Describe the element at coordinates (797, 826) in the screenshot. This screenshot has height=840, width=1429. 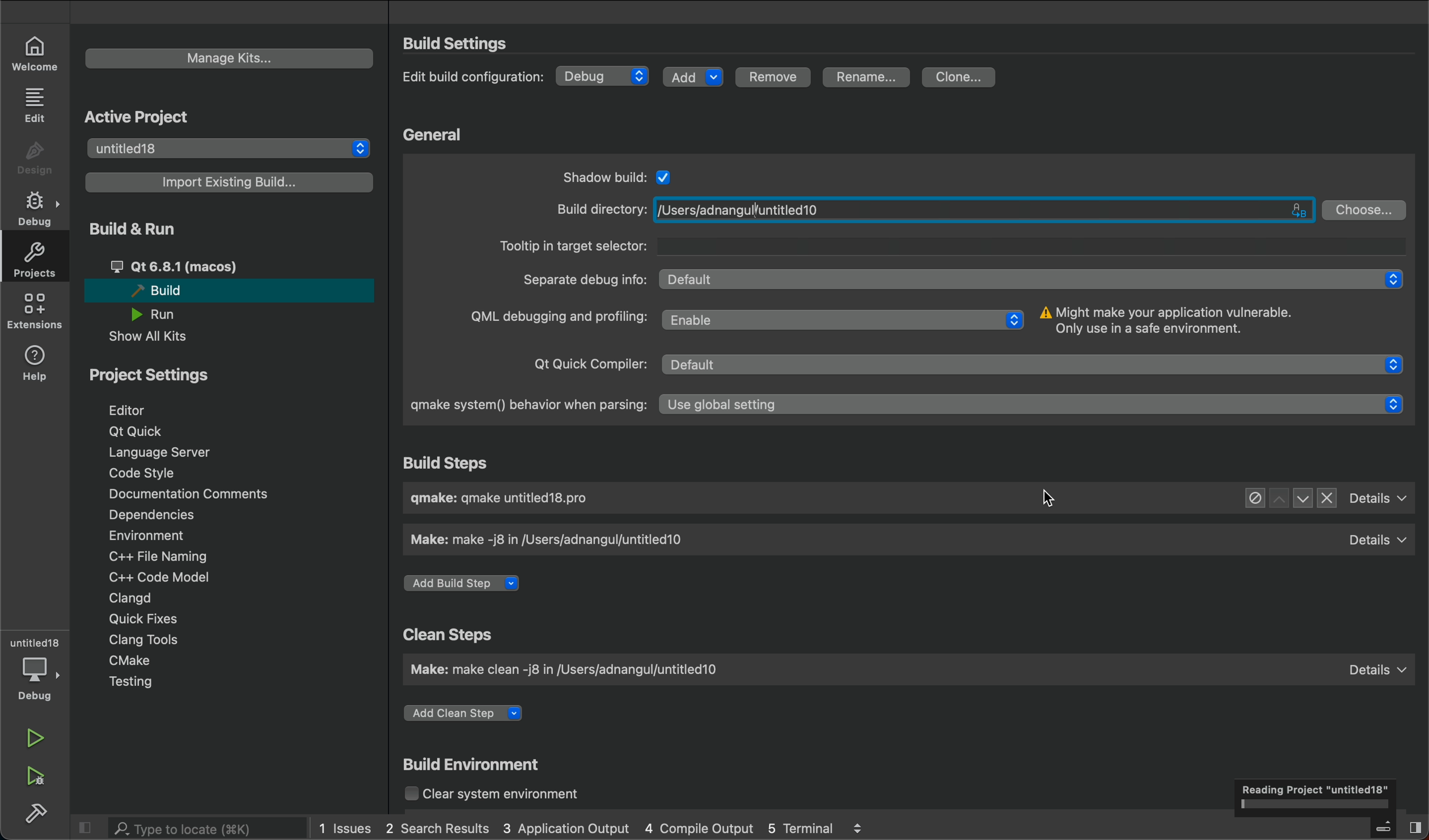
I see `5 Terminal` at that location.